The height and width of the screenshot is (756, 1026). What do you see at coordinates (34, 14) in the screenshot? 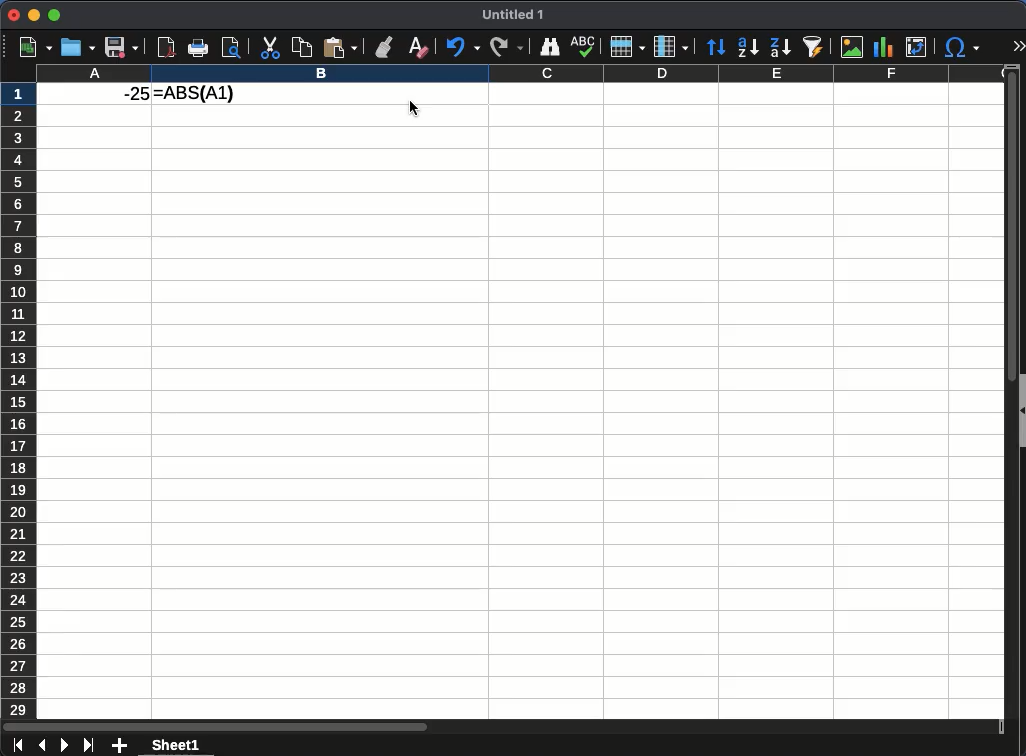
I see `minimize` at bounding box center [34, 14].